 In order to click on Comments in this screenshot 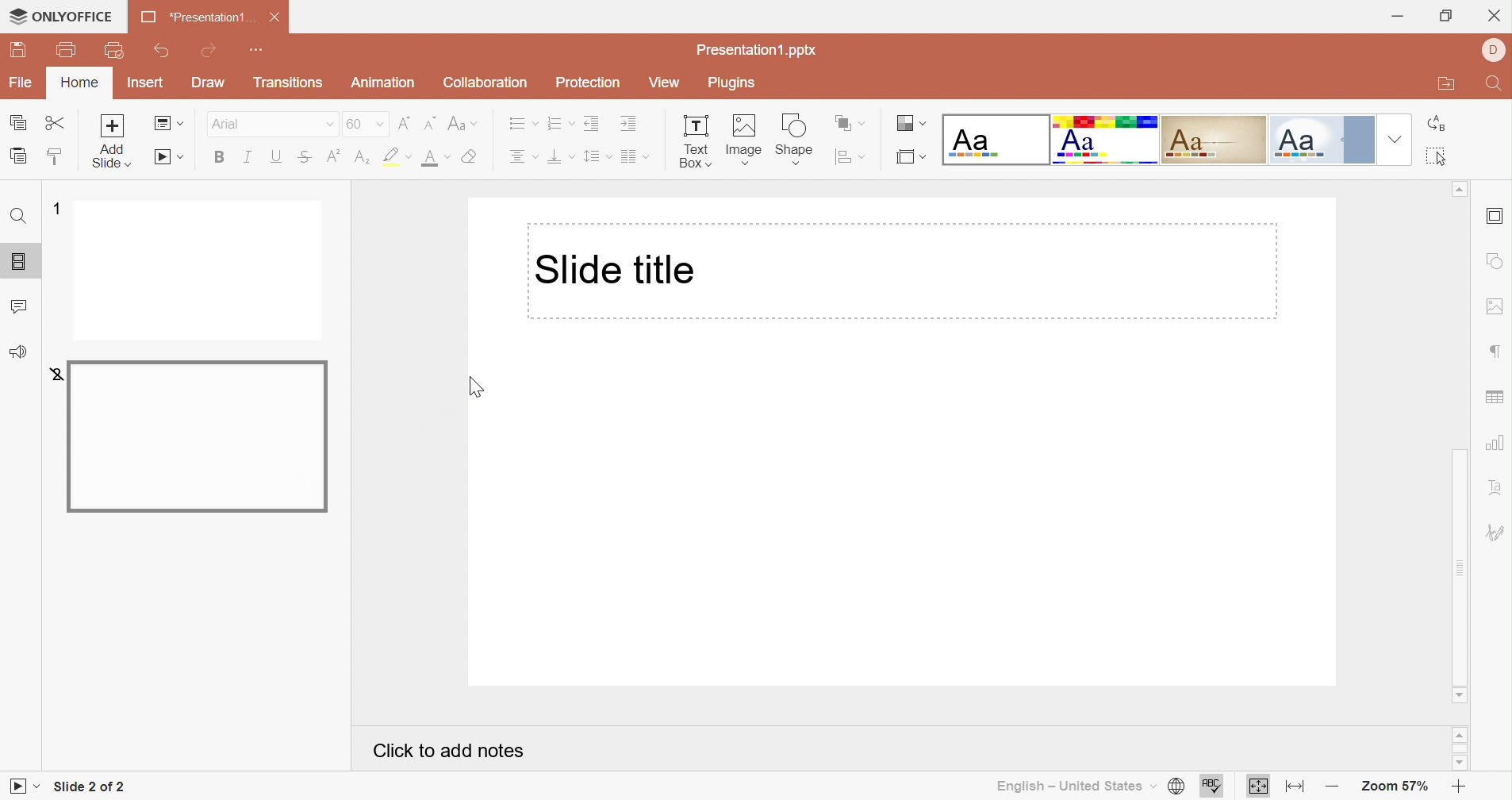, I will do `click(23, 308)`.